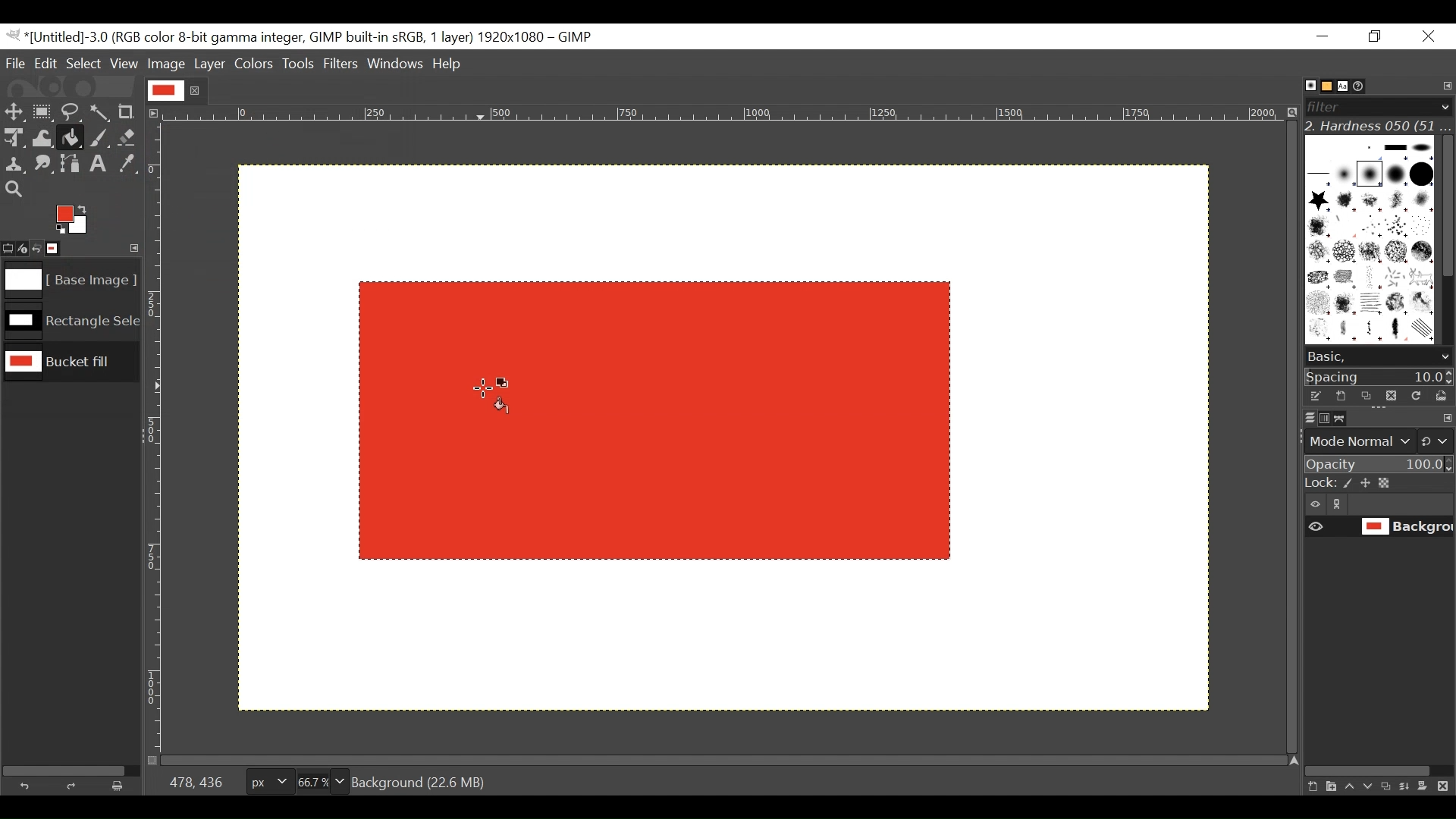 The height and width of the screenshot is (819, 1456). I want to click on Channels, so click(1321, 417).